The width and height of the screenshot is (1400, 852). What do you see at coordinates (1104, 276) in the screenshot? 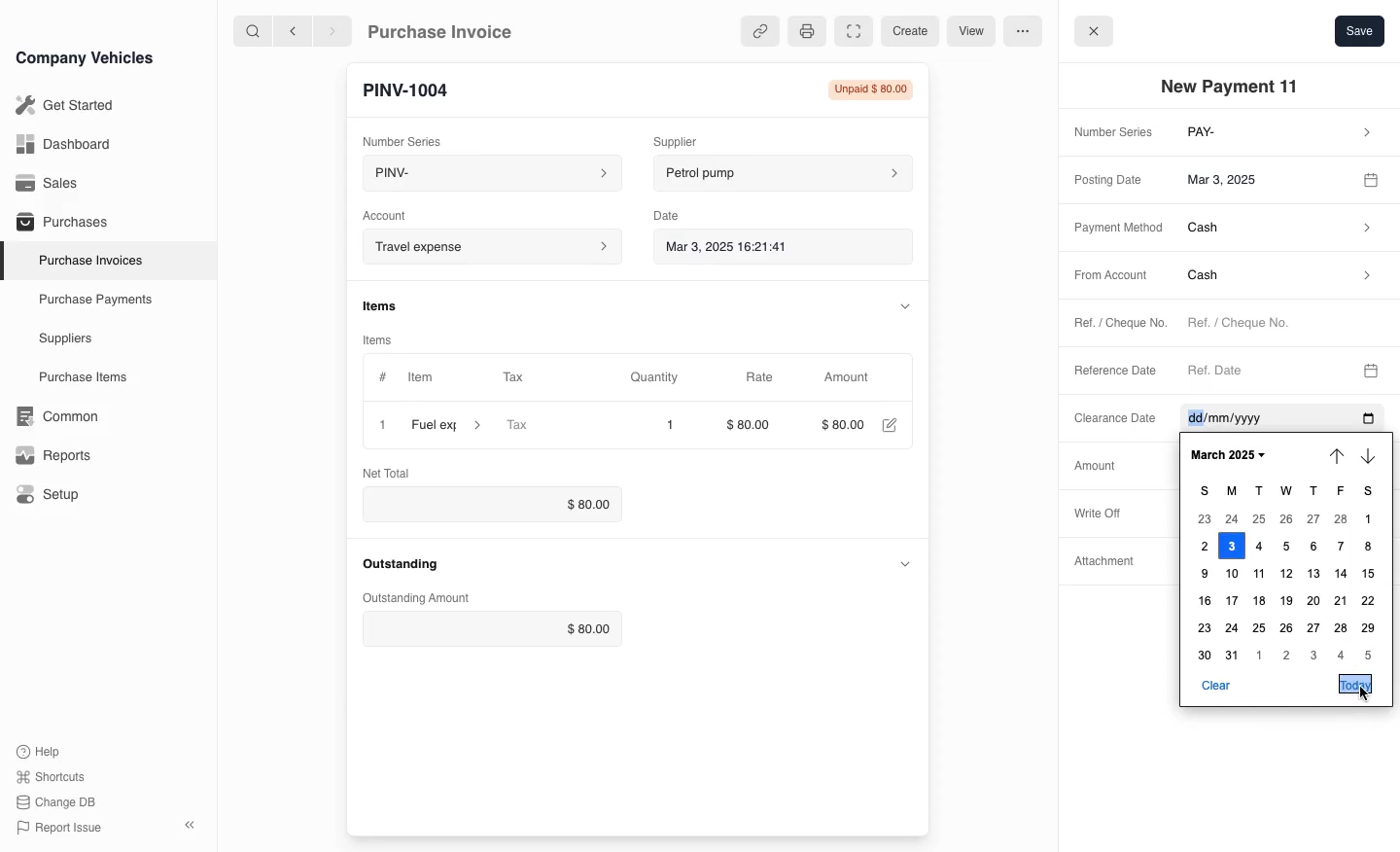
I see `From Account` at bounding box center [1104, 276].